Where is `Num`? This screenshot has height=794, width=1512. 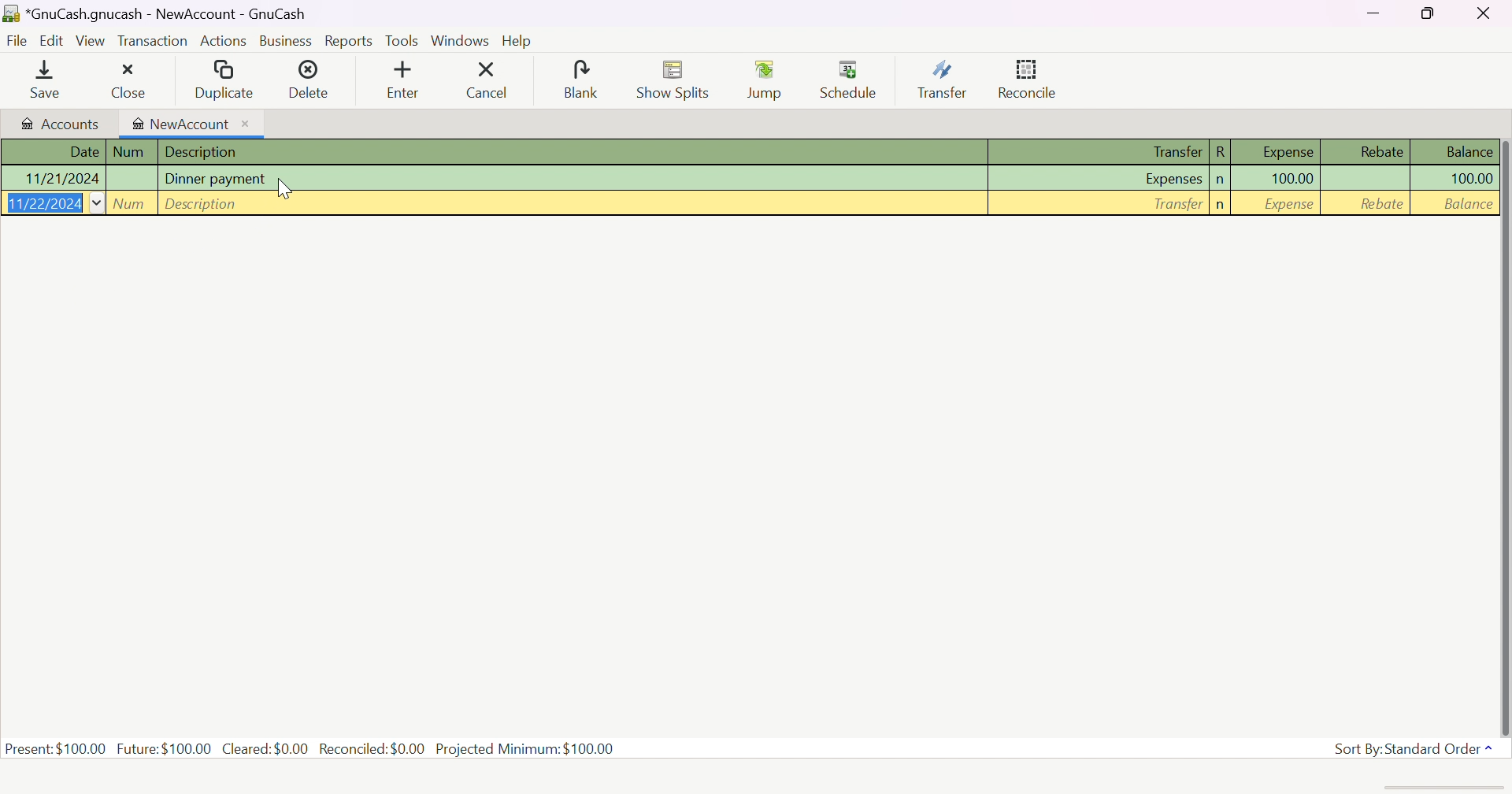
Num is located at coordinates (129, 151).